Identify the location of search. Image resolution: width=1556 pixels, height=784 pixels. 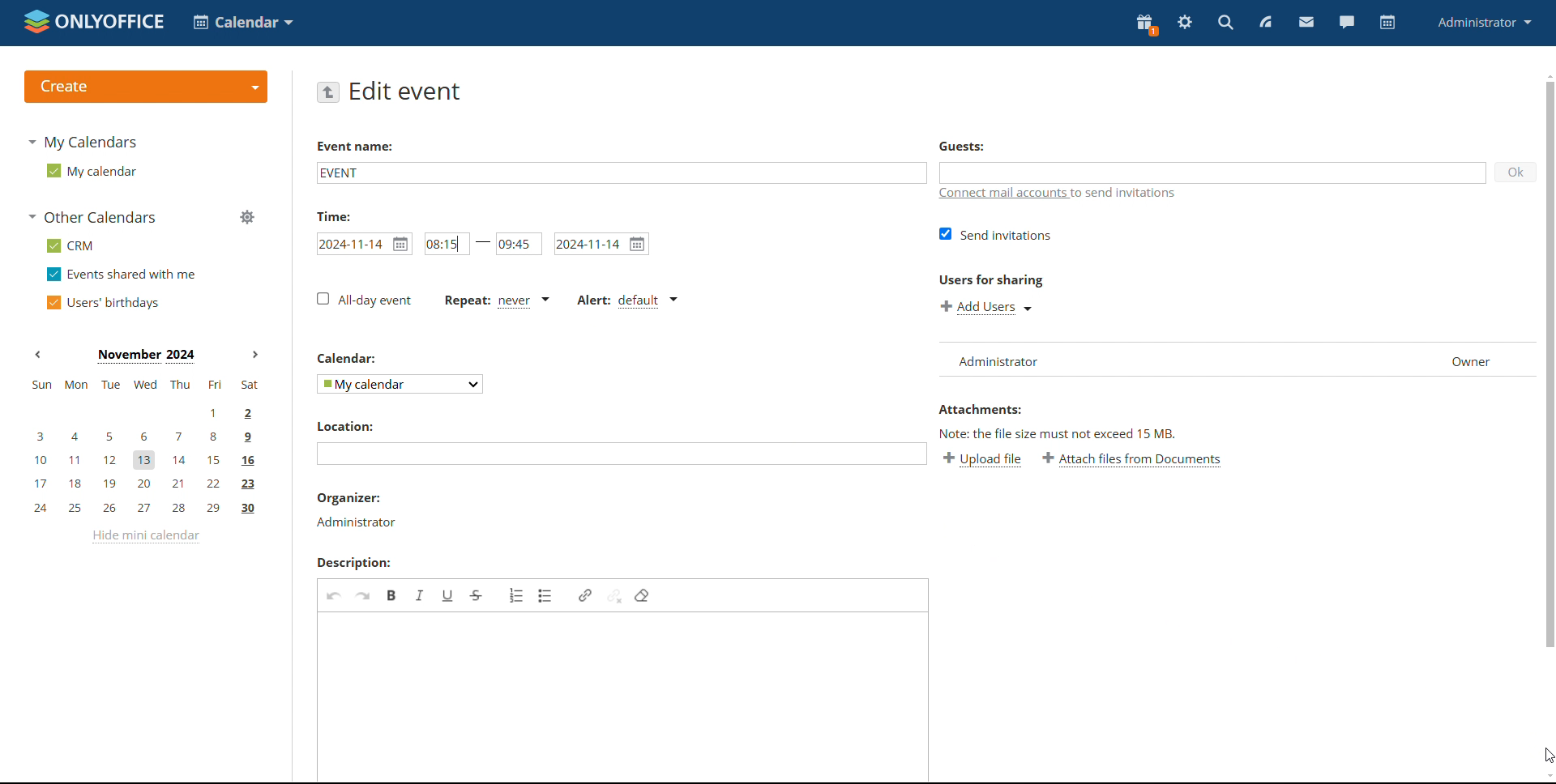
(1227, 23).